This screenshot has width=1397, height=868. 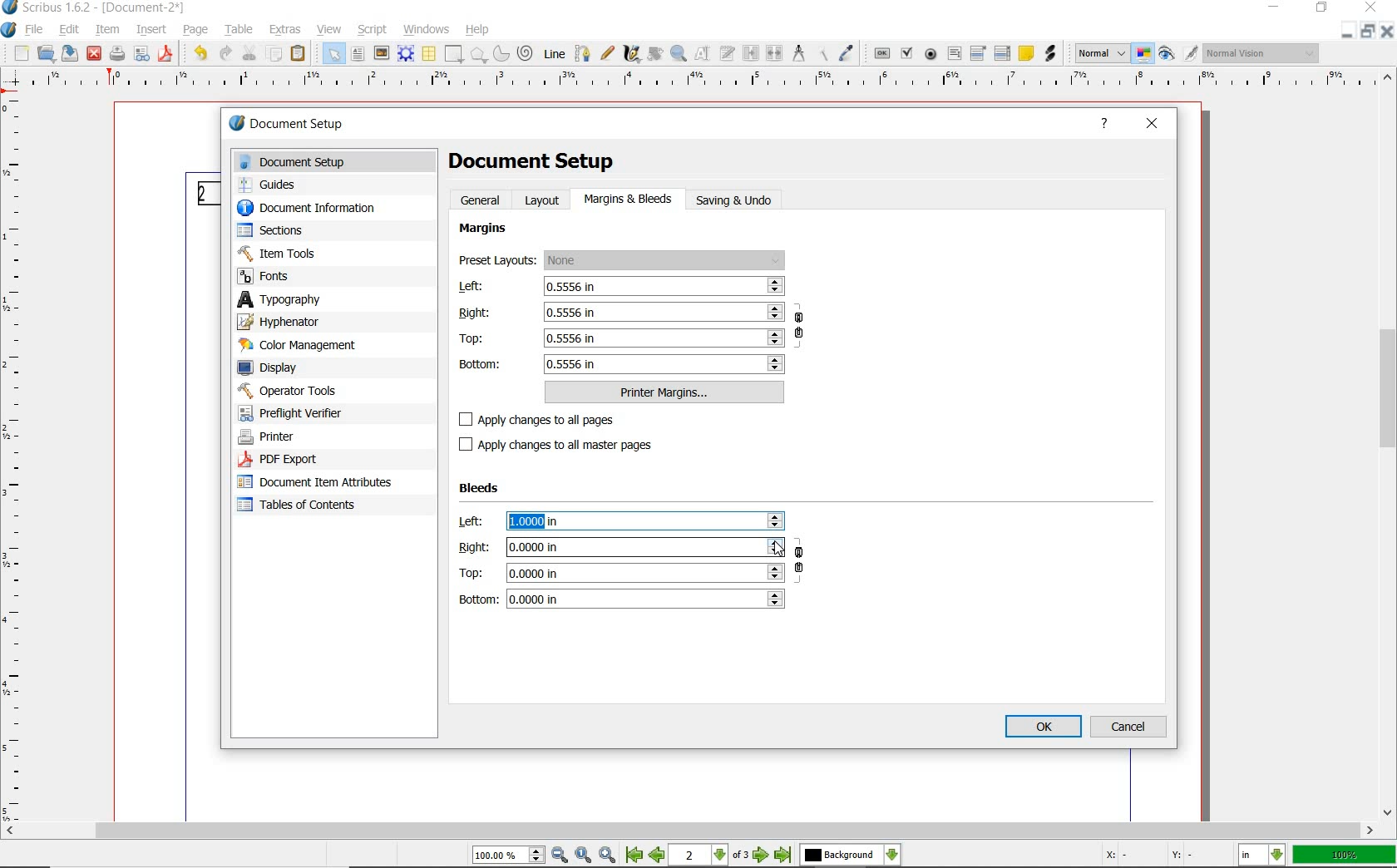 What do you see at coordinates (689, 832) in the screenshot?
I see `scroll bar` at bounding box center [689, 832].